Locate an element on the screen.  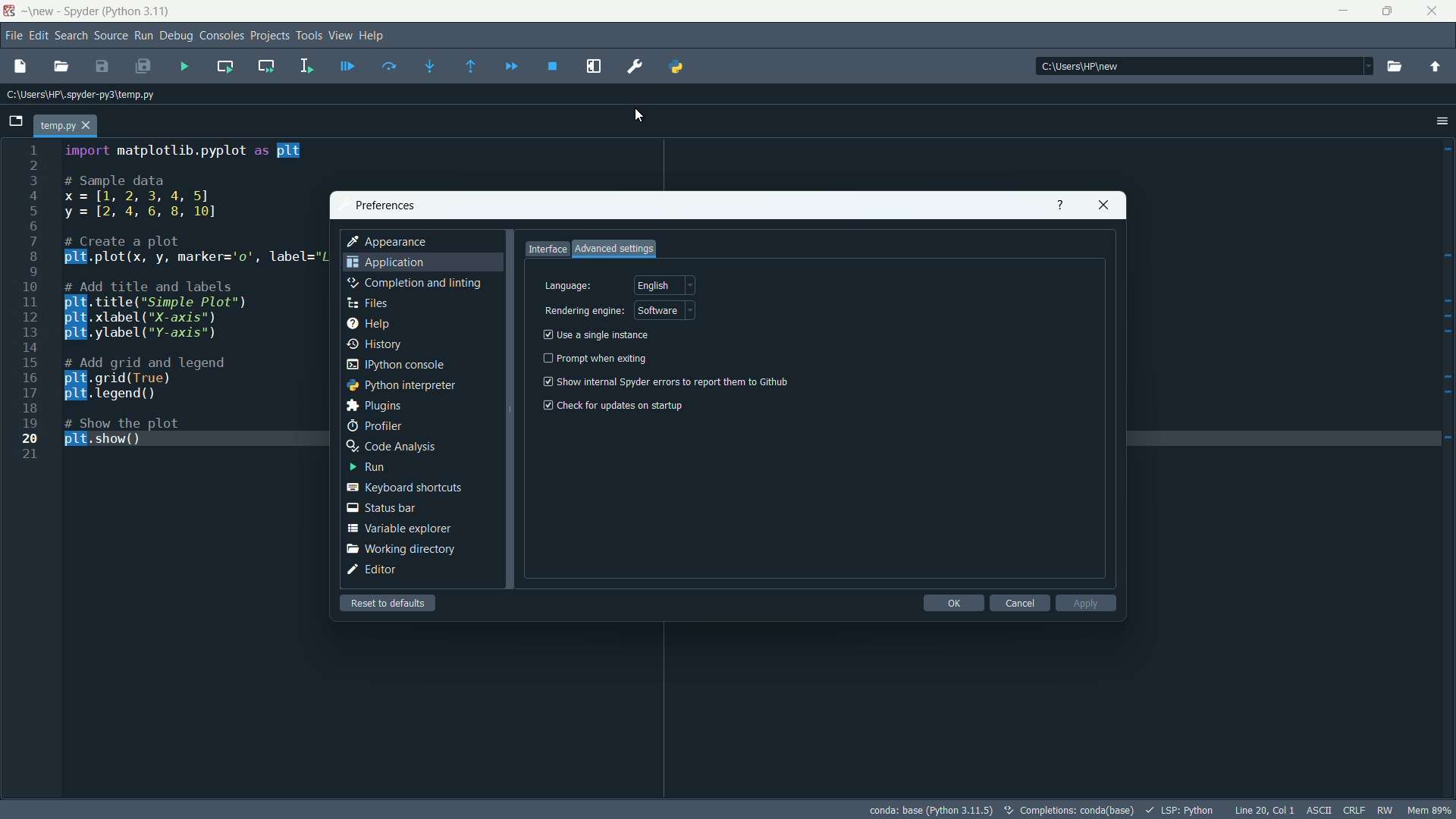
cursor is located at coordinates (643, 112).